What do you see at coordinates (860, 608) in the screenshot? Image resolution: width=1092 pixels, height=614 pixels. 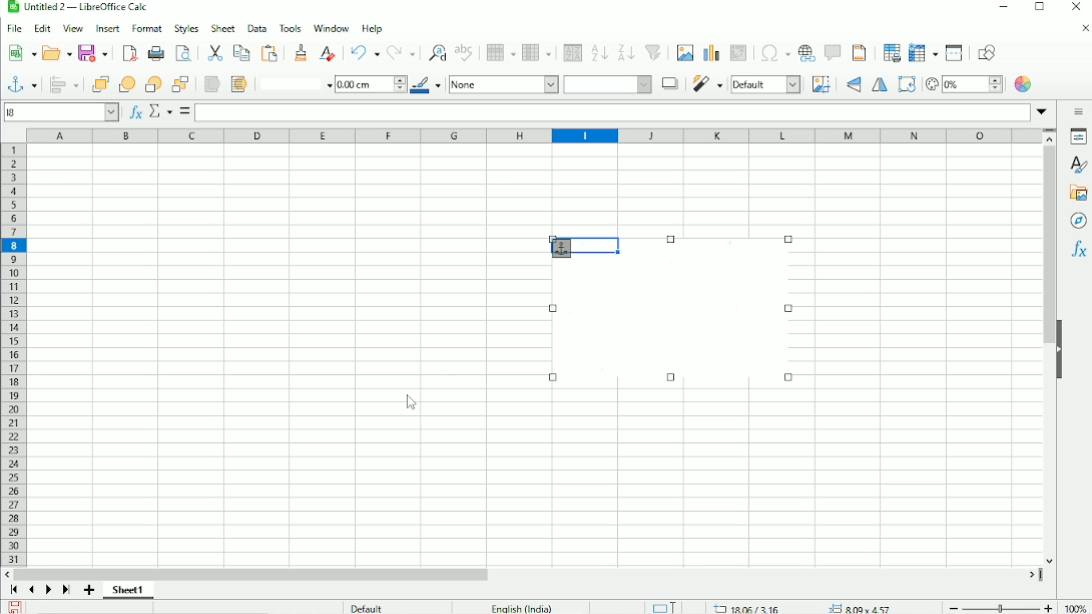 I see `8.00X4.57` at bounding box center [860, 608].